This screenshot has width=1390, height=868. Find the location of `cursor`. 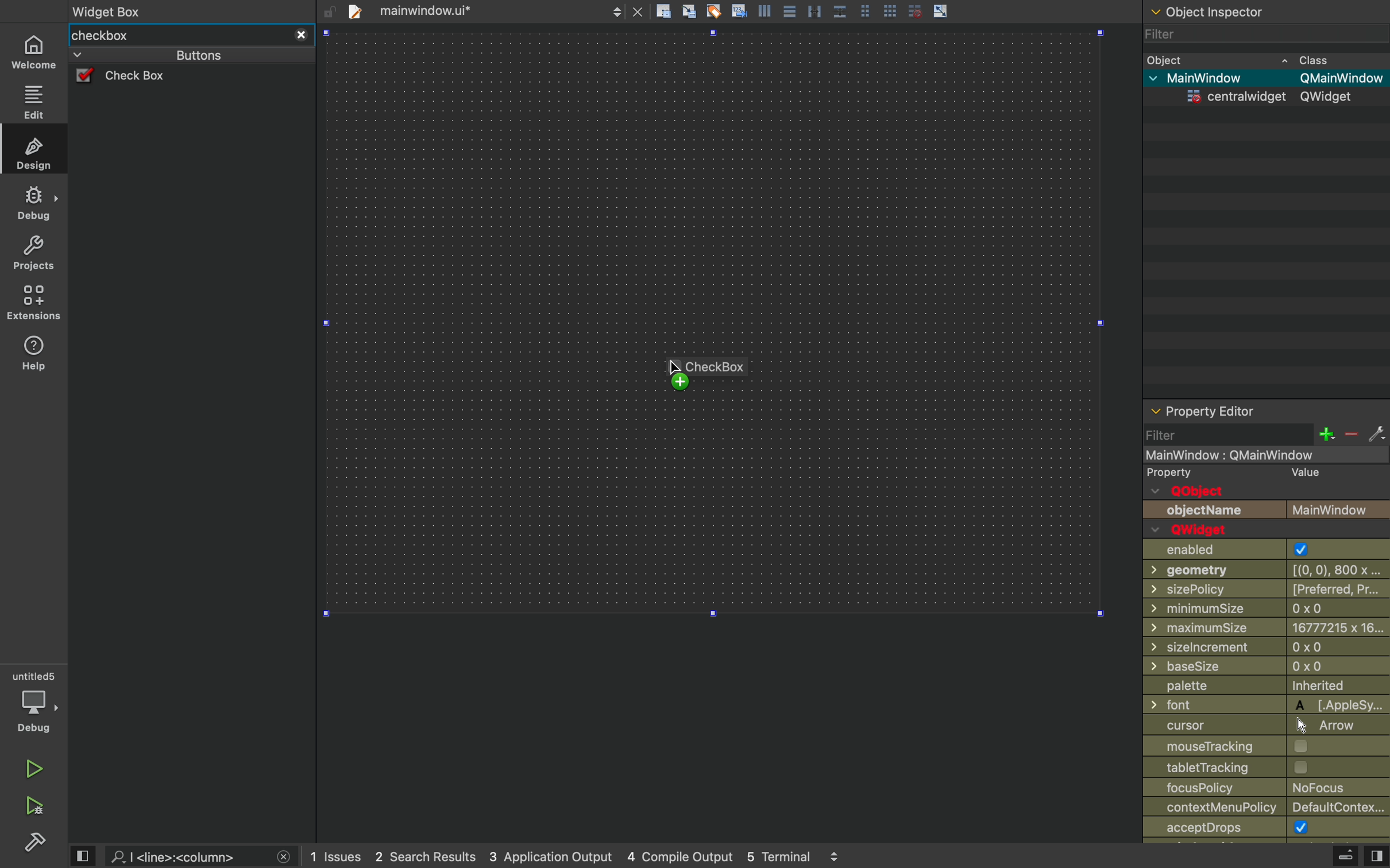

cursor is located at coordinates (1261, 724).